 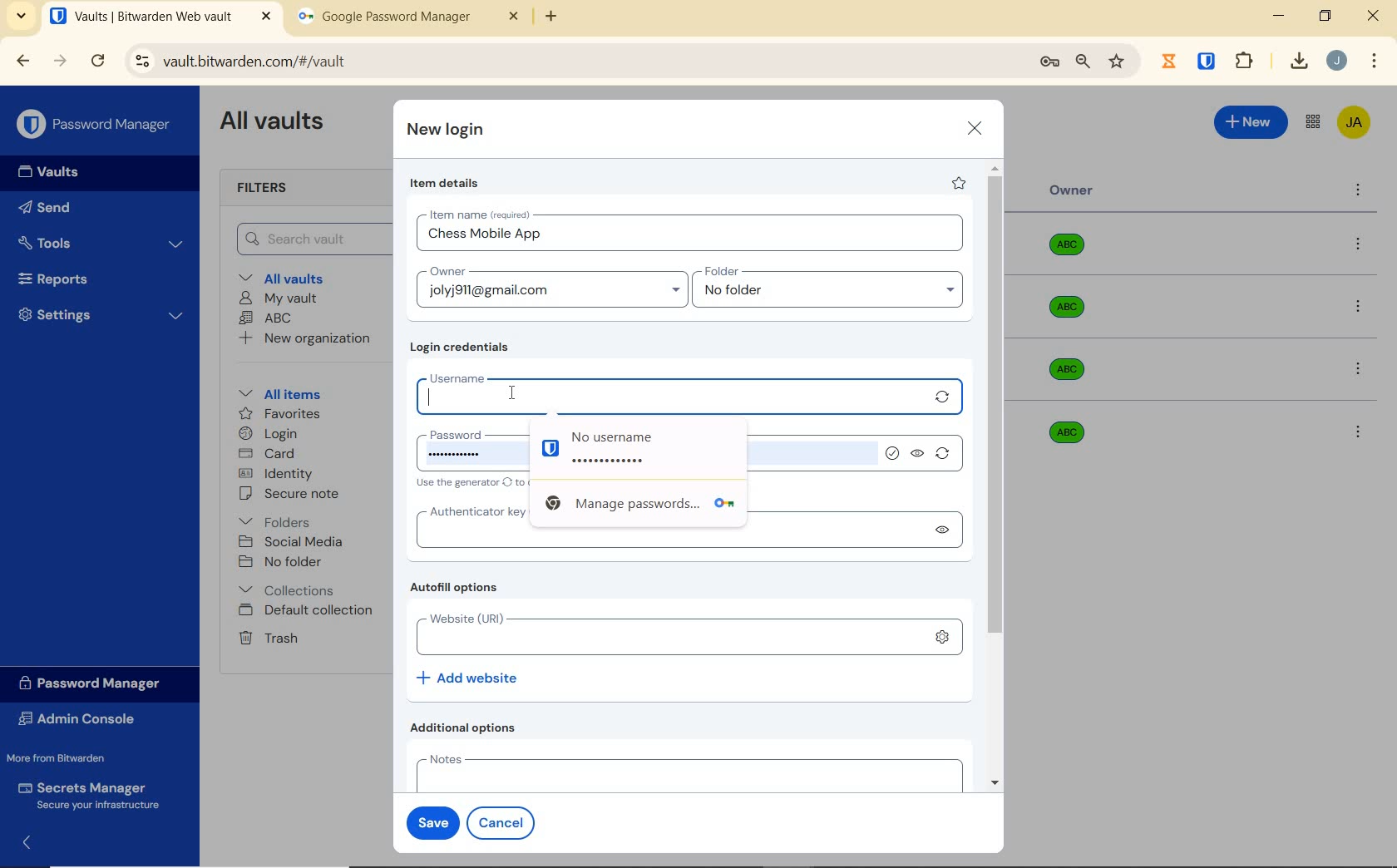 I want to click on close, so click(x=1375, y=16).